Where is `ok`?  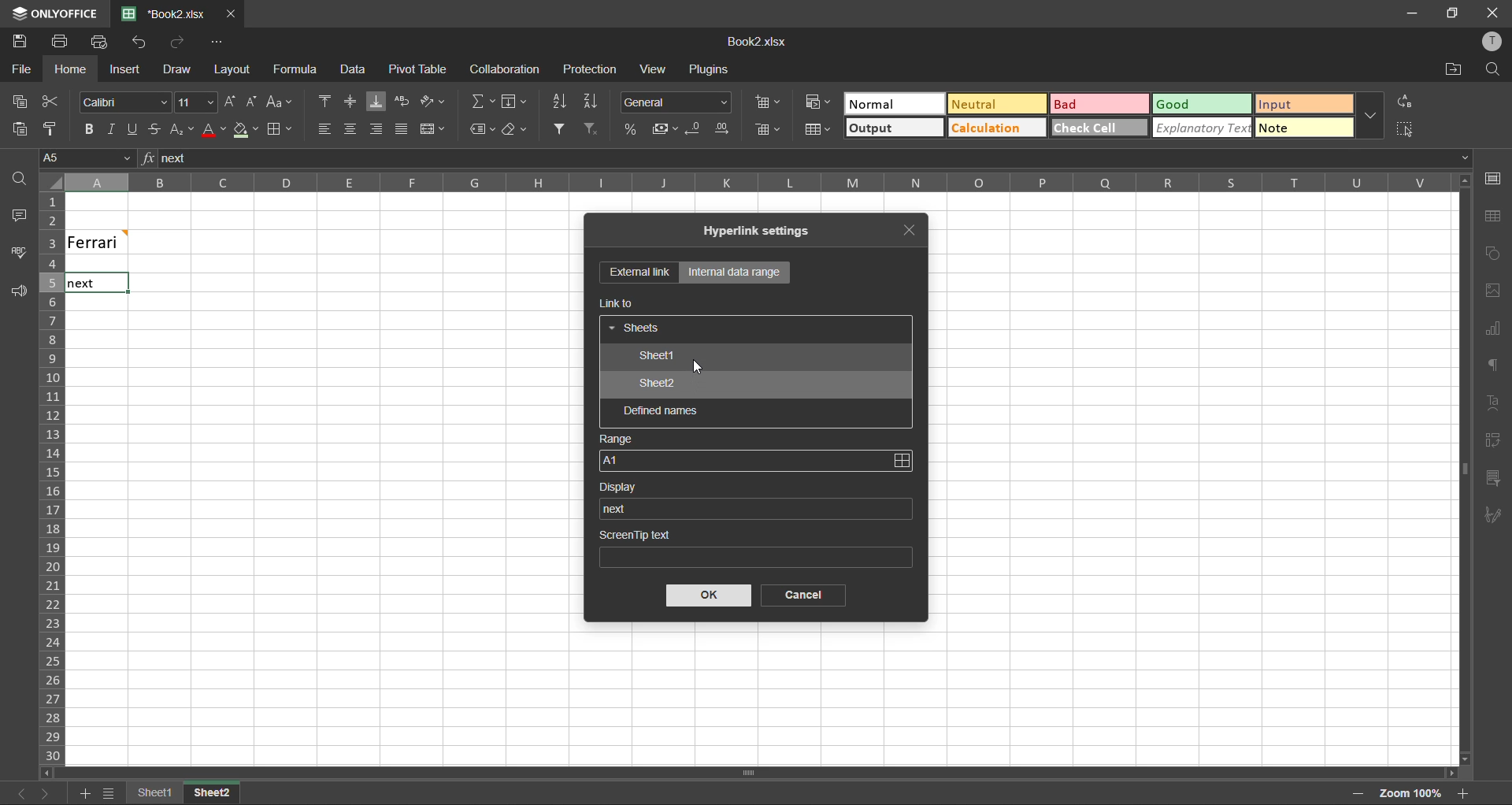 ok is located at coordinates (710, 595).